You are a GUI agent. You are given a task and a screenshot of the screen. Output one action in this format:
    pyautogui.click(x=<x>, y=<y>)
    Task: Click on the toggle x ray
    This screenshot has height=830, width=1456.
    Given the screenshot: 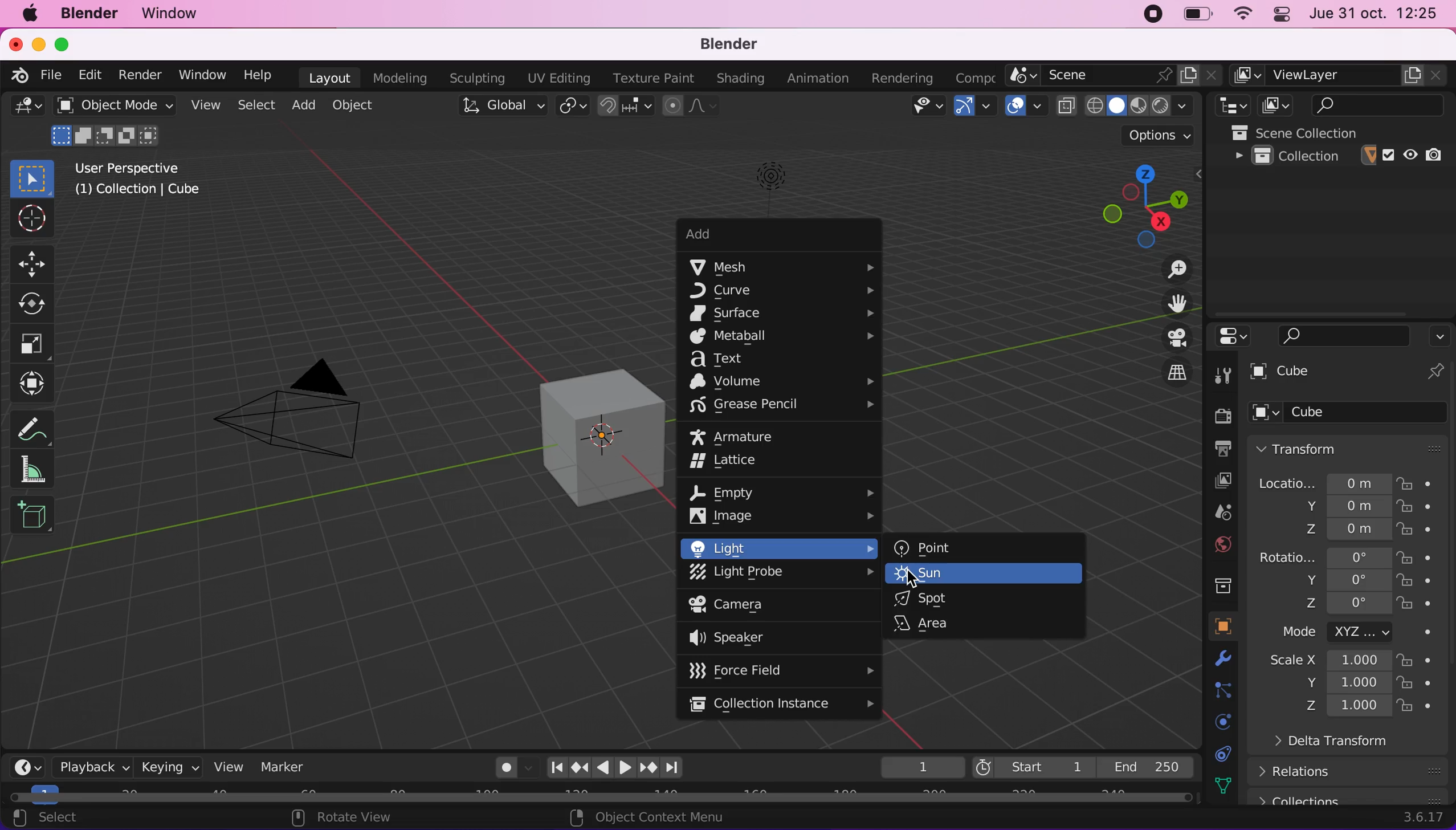 What is the action you would take?
    pyautogui.click(x=1066, y=105)
    